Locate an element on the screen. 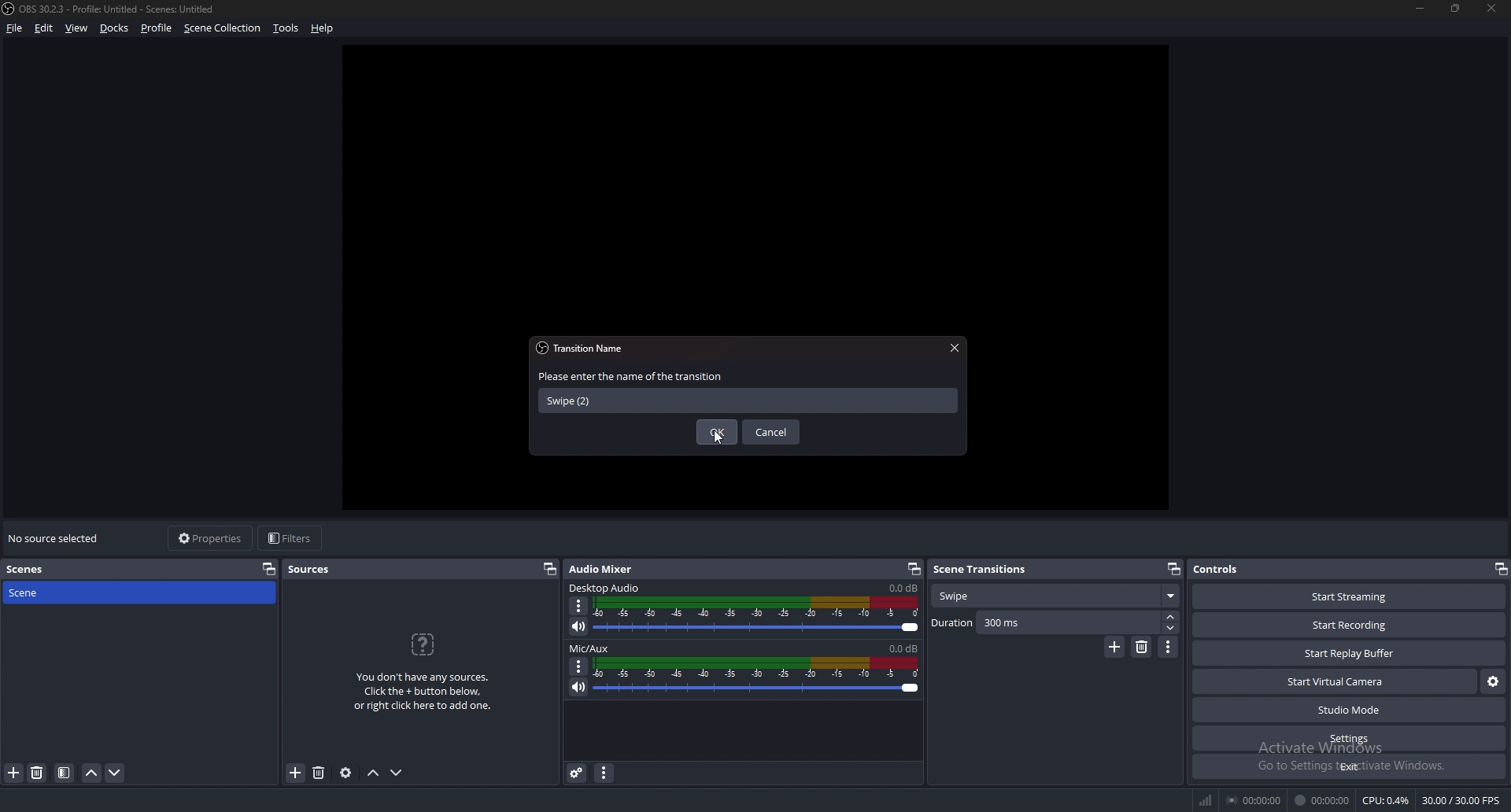 Image resolution: width=1511 pixels, height=812 pixels. studio mode is located at coordinates (1350, 710).